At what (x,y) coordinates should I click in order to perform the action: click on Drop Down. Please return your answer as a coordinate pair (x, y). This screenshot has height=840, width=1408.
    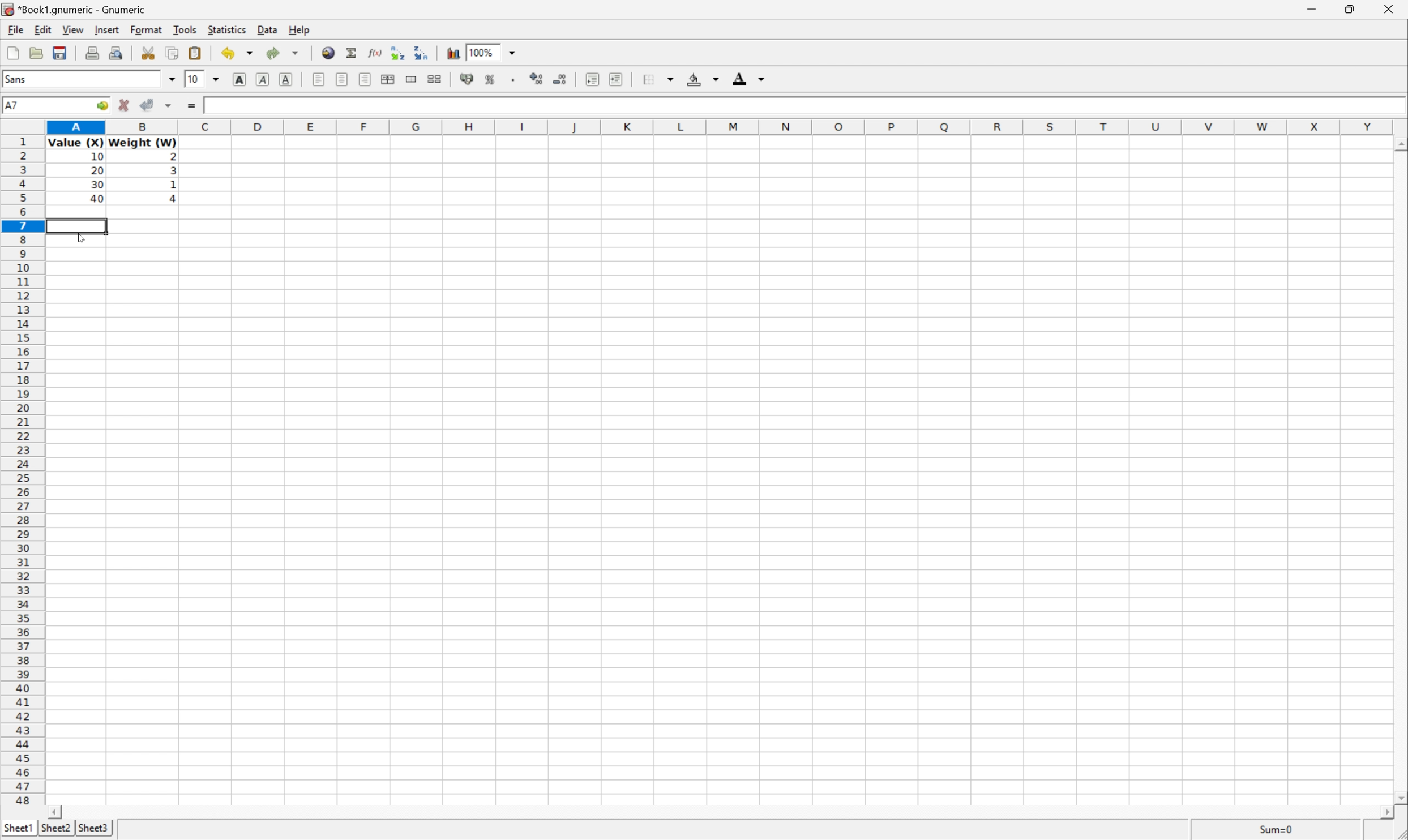
    Looking at the image, I should click on (514, 53).